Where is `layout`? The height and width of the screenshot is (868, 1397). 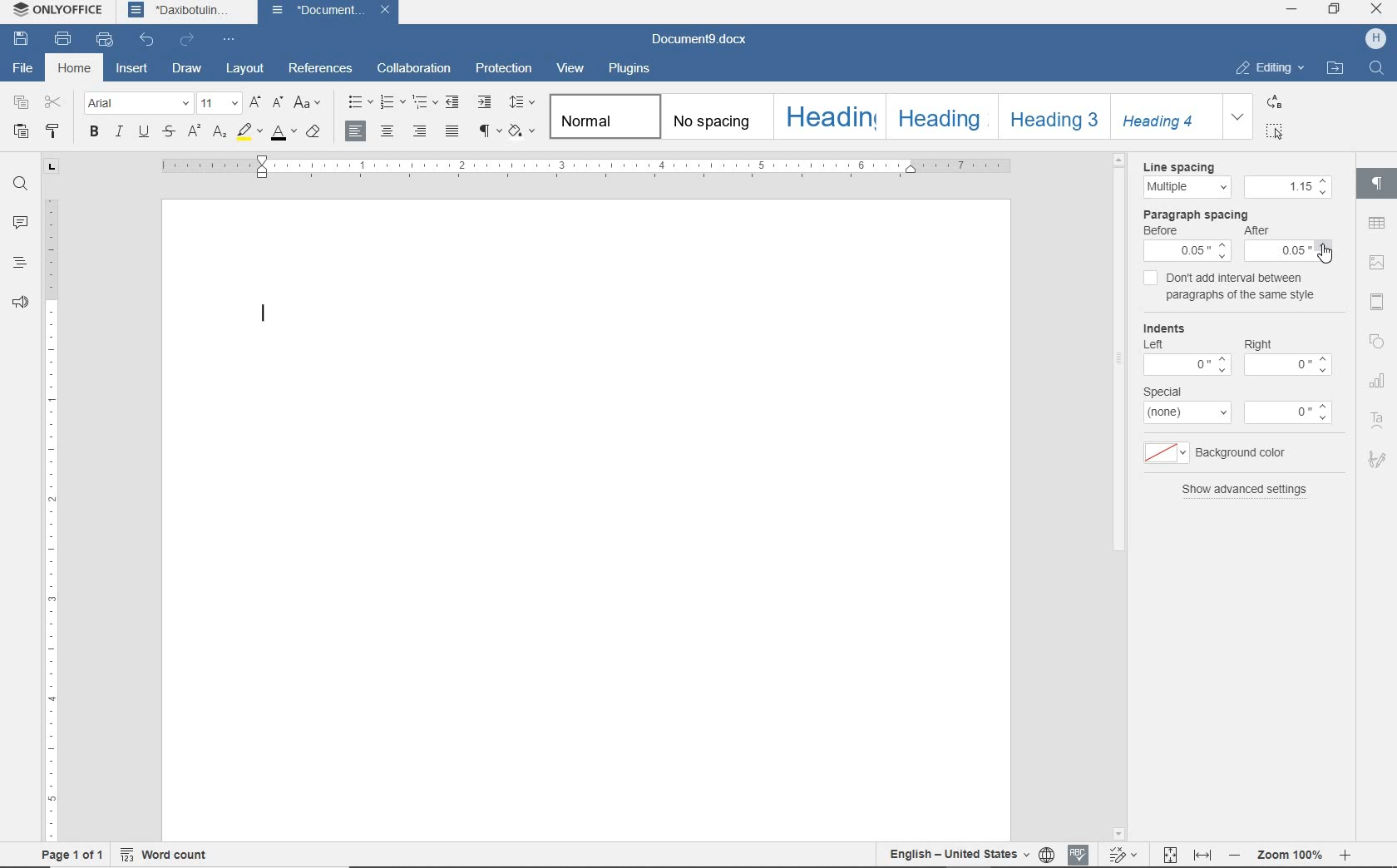
layout is located at coordinates (247, 70).